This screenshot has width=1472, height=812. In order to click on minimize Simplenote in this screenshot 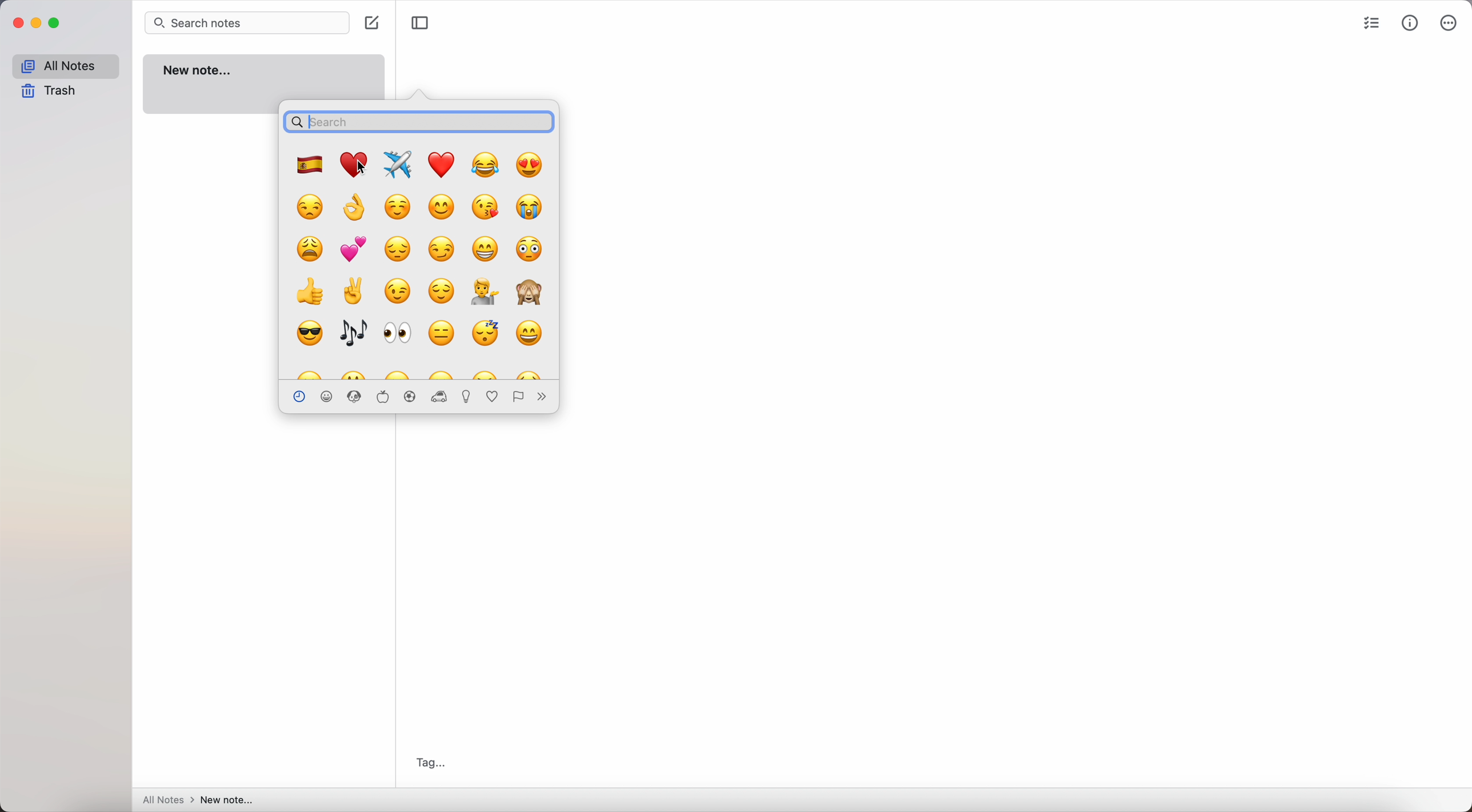, I will do `click(36, 22)`.